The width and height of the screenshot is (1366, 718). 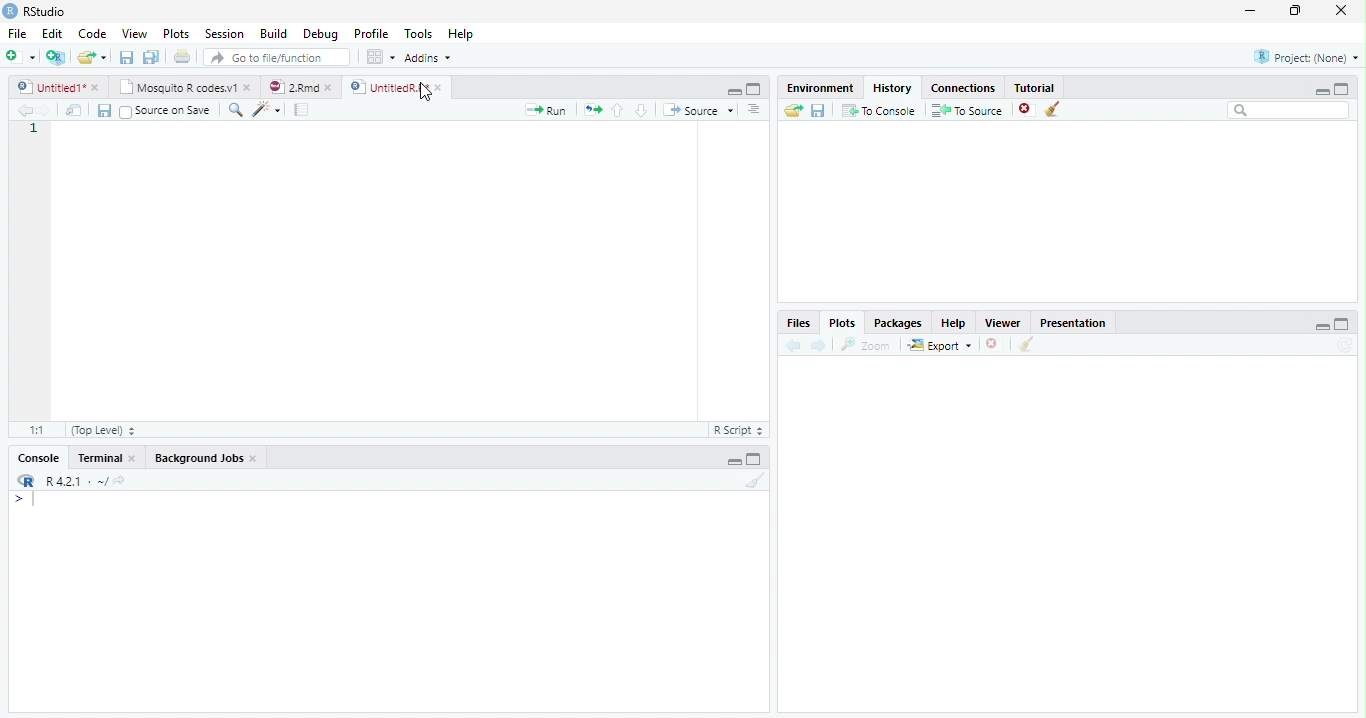 What do you see at coordinates (396, 87) in the screenshot?
I see `Untitled R*` at bounding box center [396, 87].